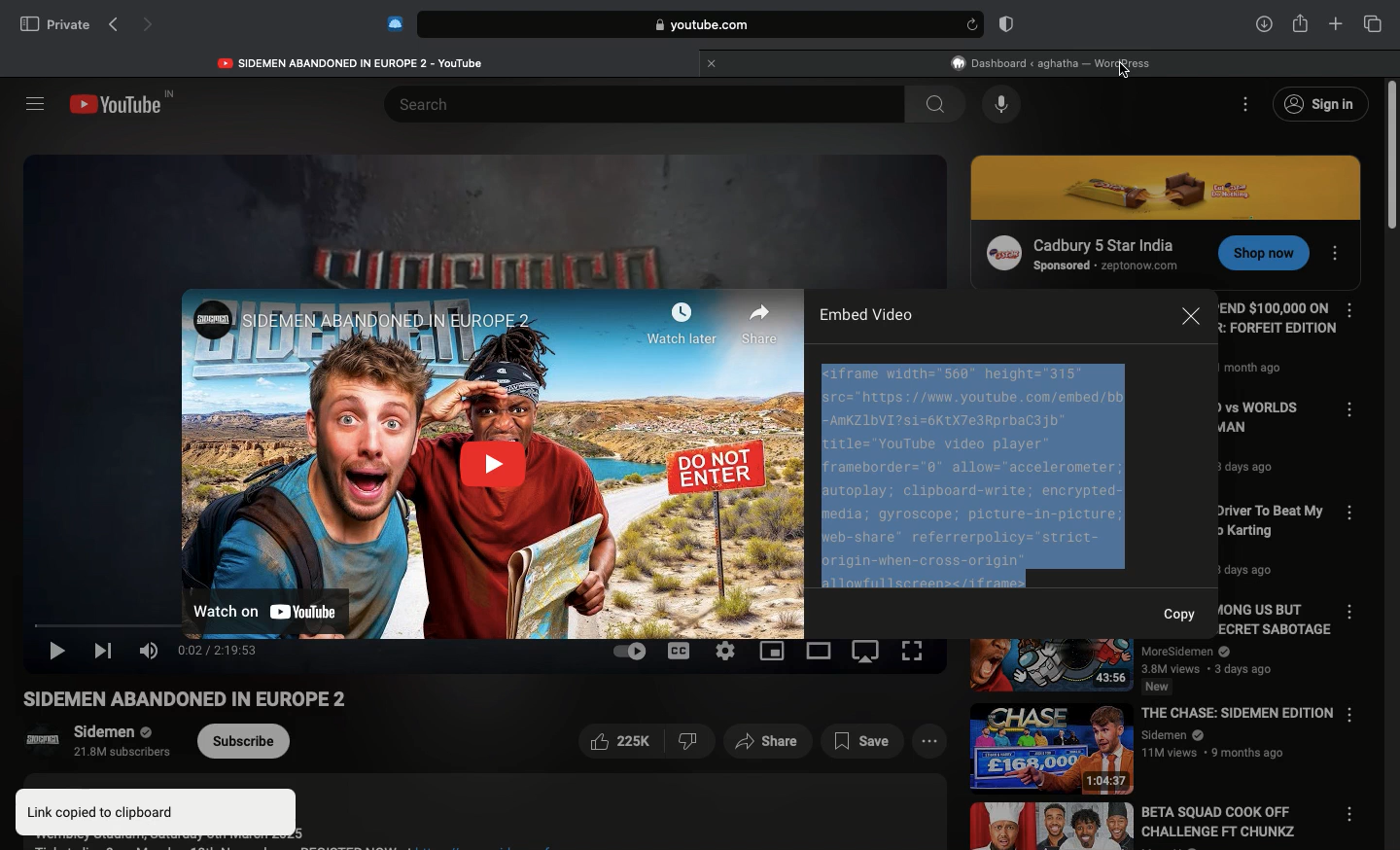 This screenshot has width=1400, height=850. What do you see at coordinates (1127, 73) in the screenshot?
I see `cursor` at bounding box center [1127, 73].